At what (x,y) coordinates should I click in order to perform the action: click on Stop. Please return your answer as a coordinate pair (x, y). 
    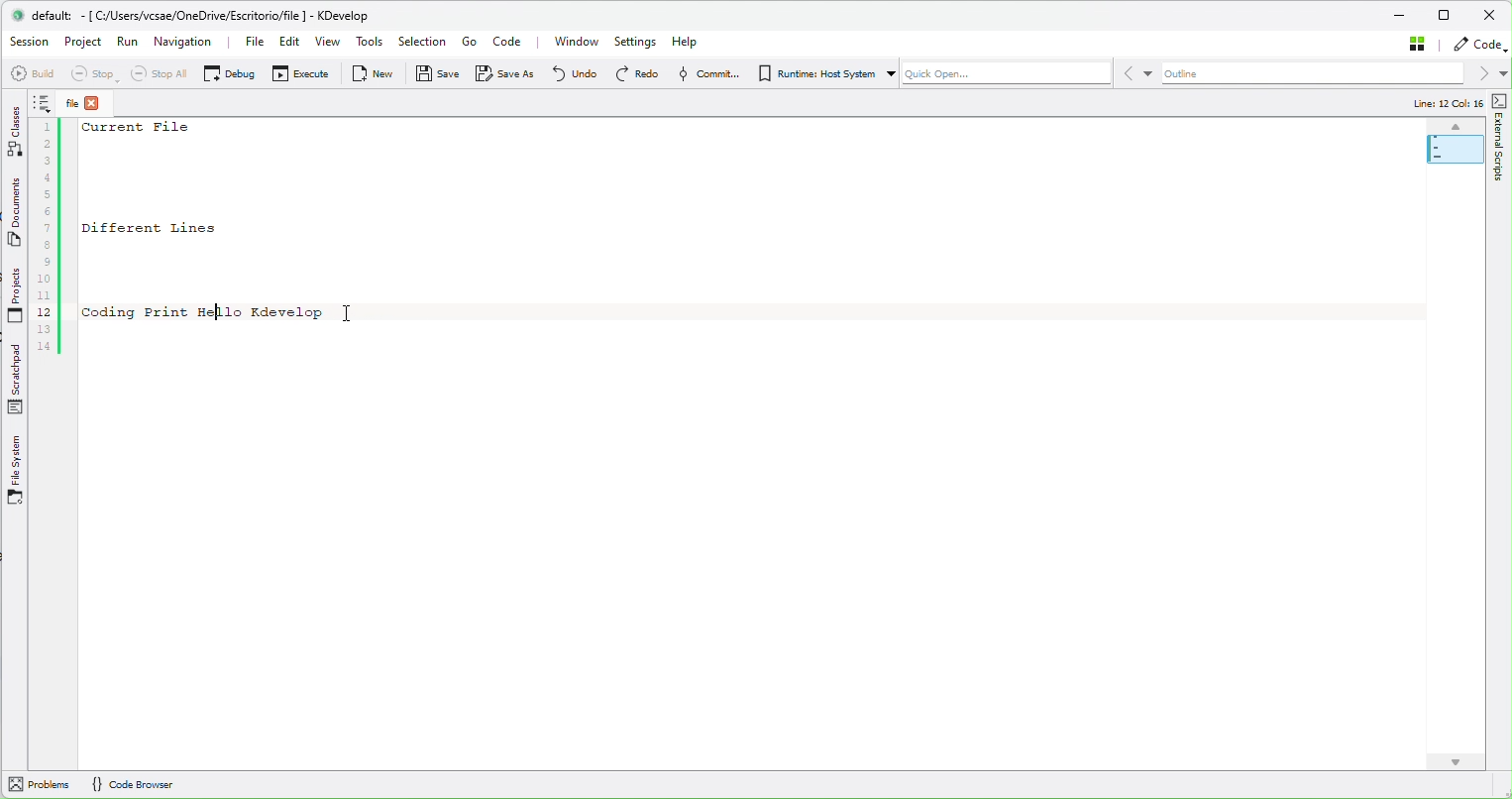
    Looking at the image, I should click on (94, 73).